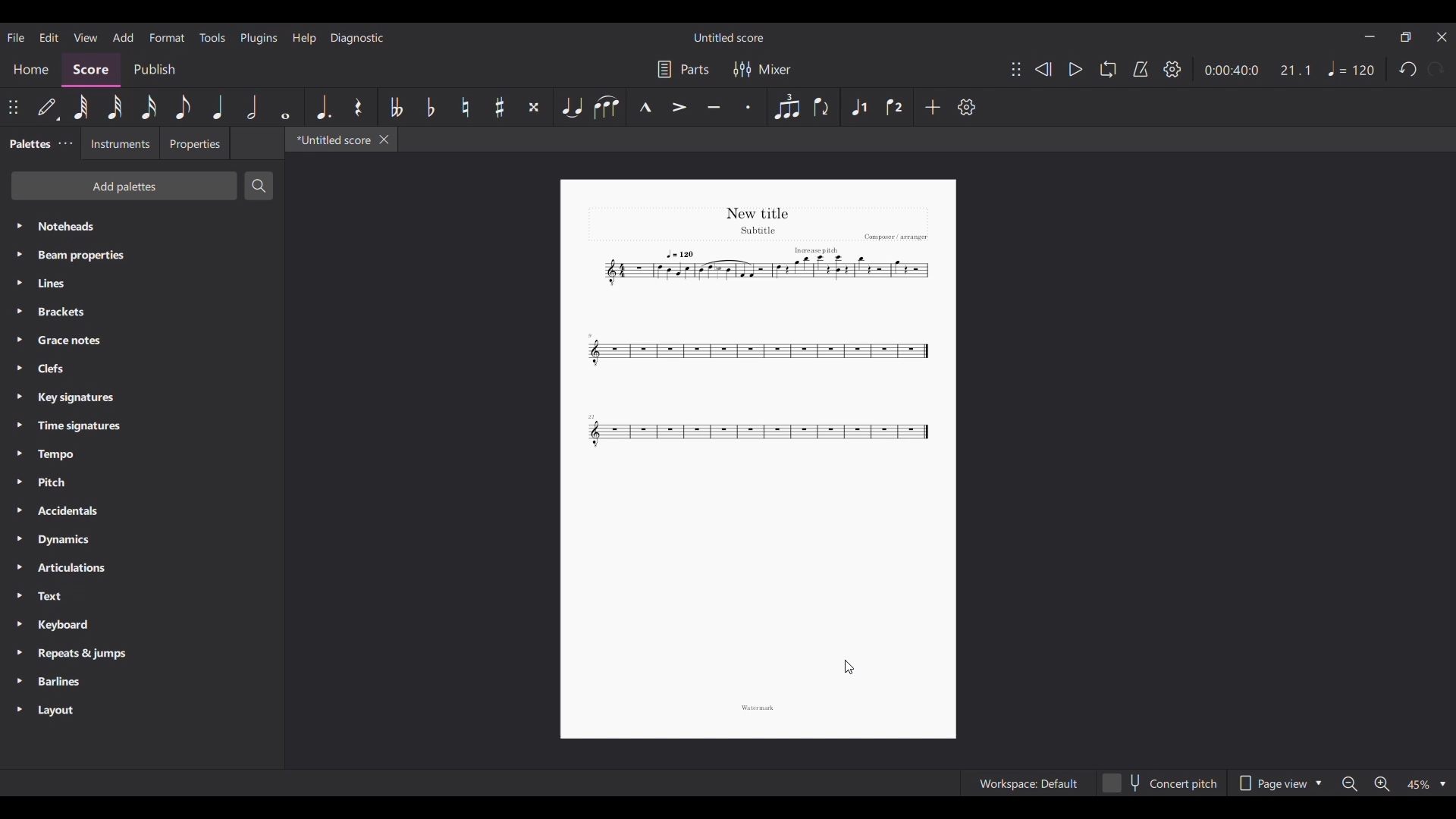 This screenshot has height=819, width=1456. What do you see at coordinates (143, 256) in the screenshot?
I see `Beam properties` at bounding box center [143, 256].